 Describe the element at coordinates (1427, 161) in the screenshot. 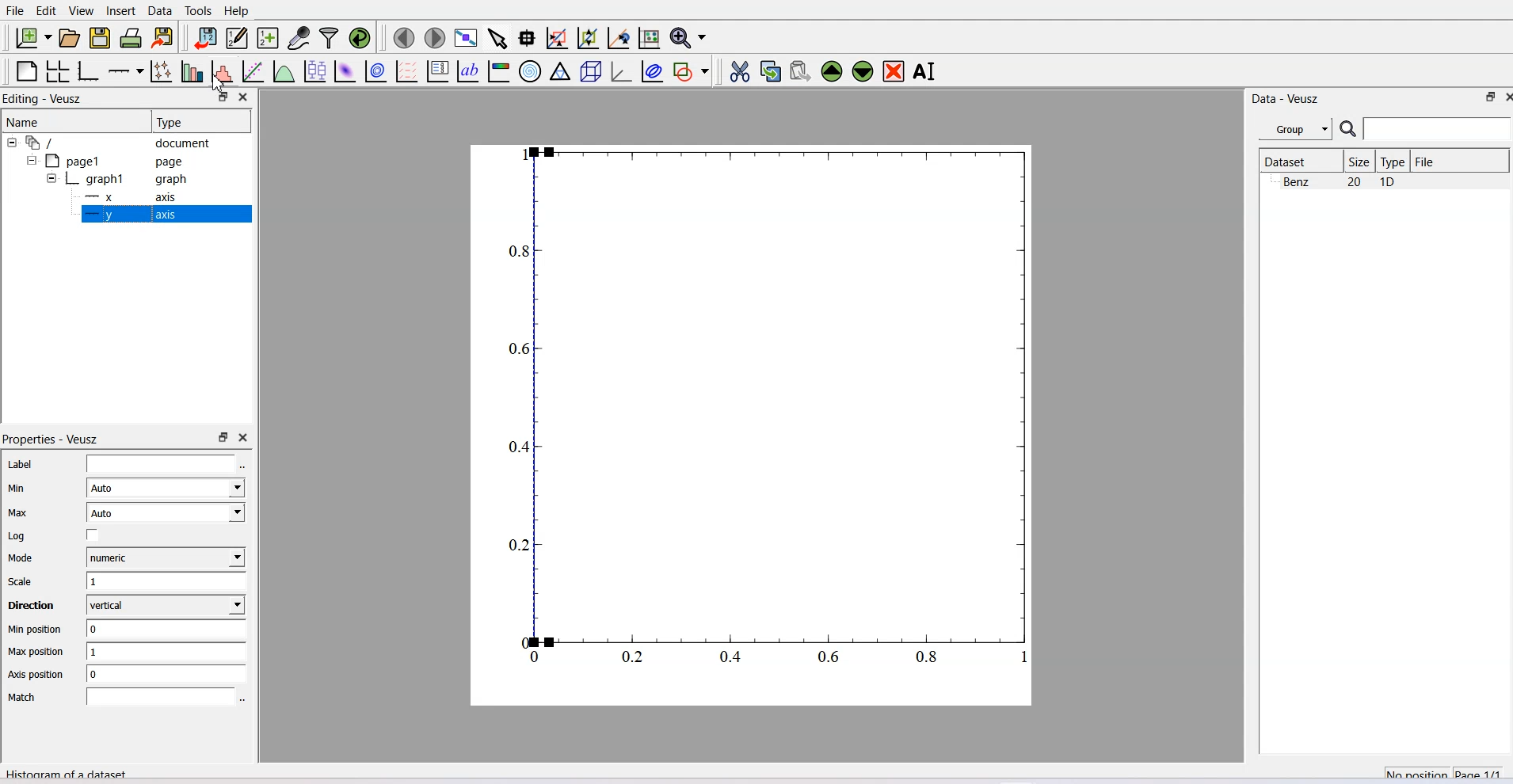

I see `File` at that location.